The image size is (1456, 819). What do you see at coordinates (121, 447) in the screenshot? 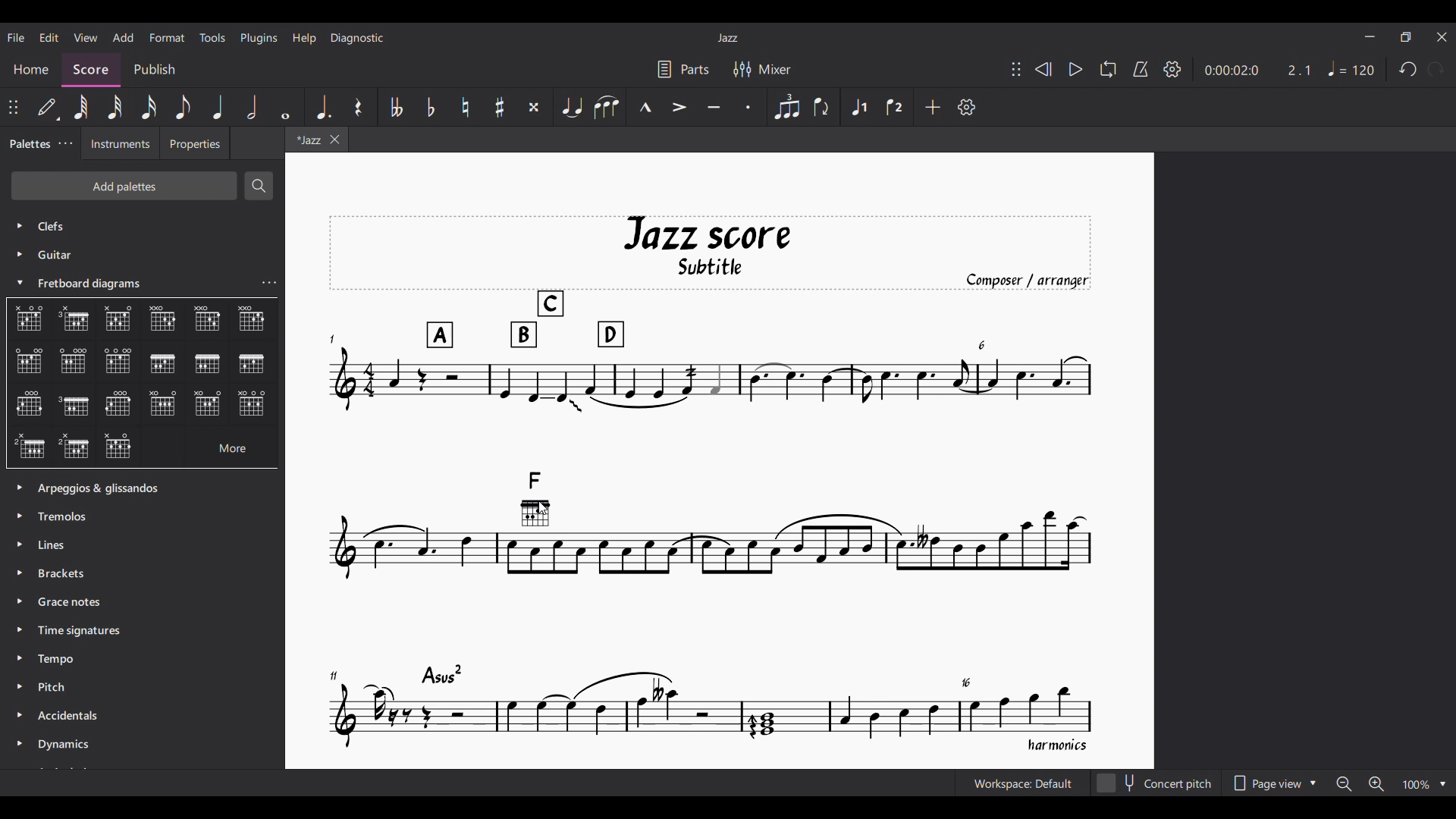
I see `Chart 19` at bounding box center [121, 447].